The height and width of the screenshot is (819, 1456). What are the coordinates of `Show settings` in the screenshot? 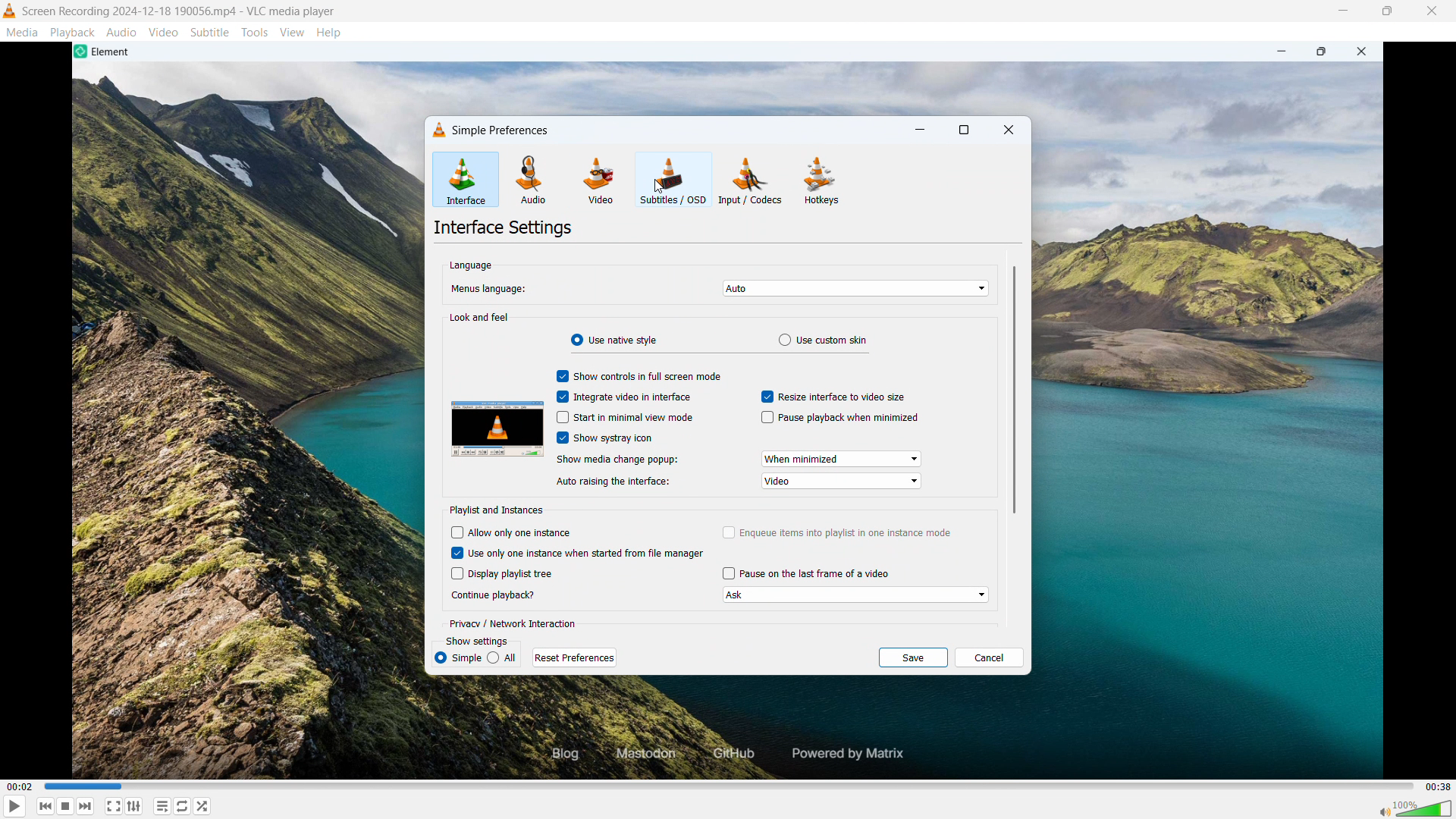 It's located at (476, 641).